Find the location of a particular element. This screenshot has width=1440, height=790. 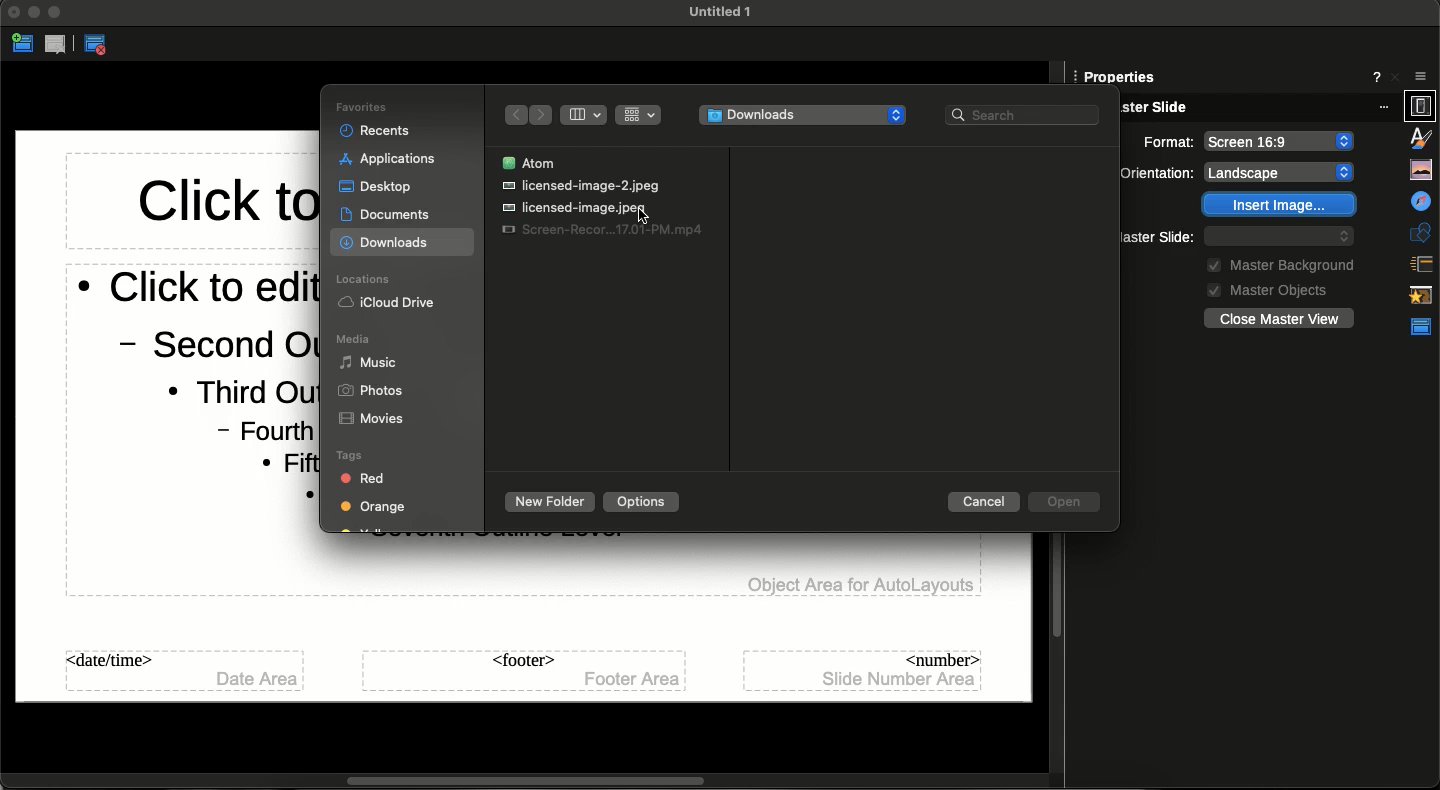

date/time  is located at coordinates (186, 669).